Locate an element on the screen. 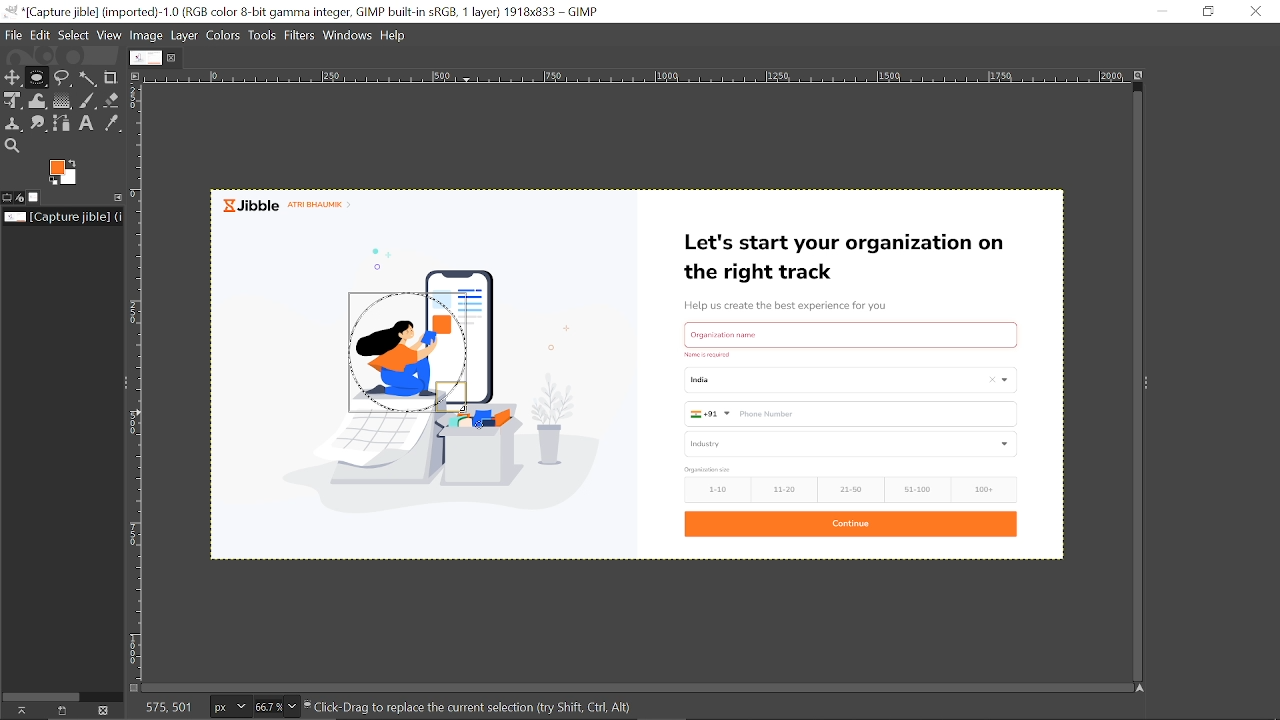 The image size is (1280, 720). Create a new display for this image is located at coordinates (62, 710).